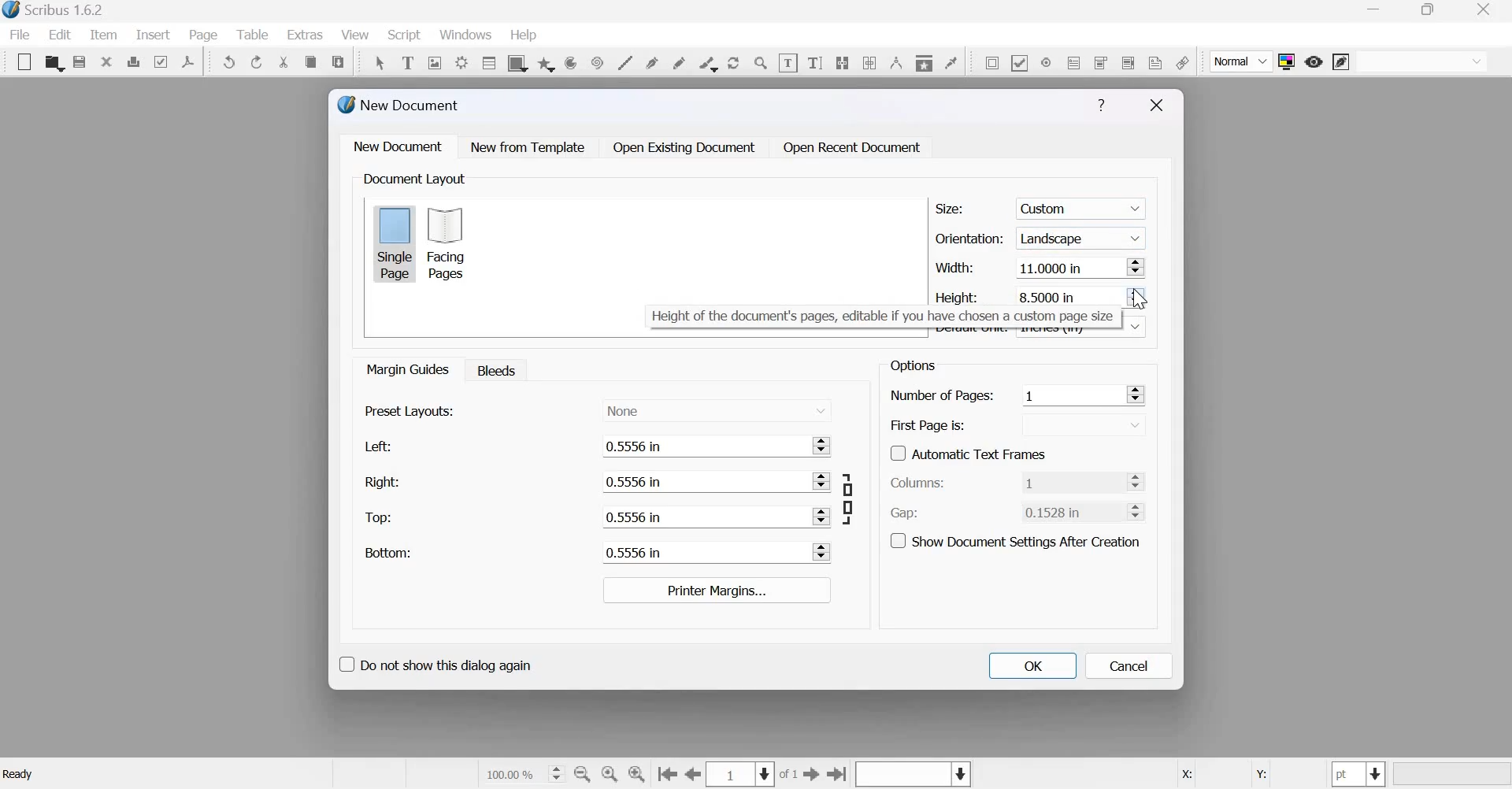 The image size is (1512, 789). Describe the element at coordinates (812, 773) in the screenshot. I see `go to the next page` at that location.